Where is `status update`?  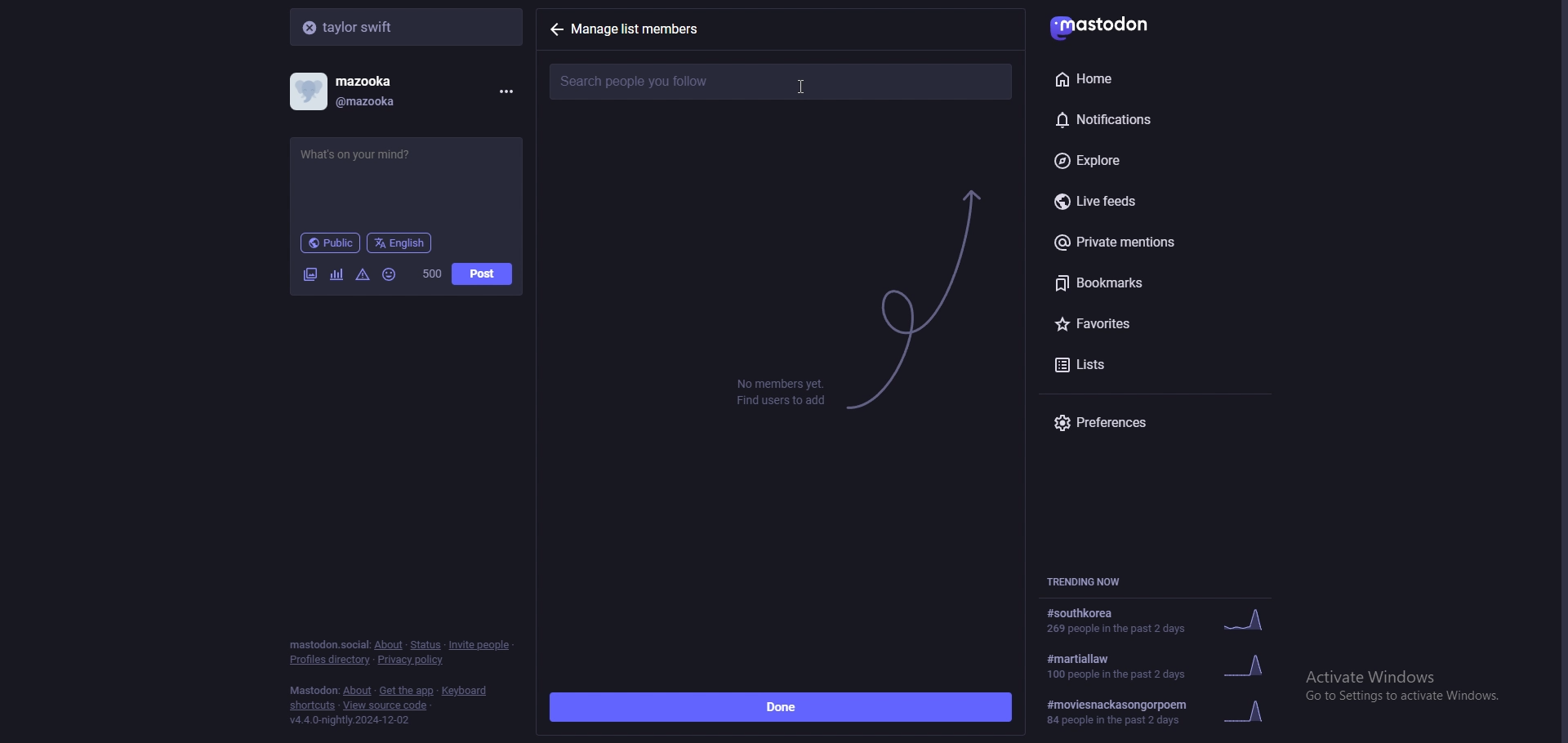 status update is located at coordinates (370, 154).